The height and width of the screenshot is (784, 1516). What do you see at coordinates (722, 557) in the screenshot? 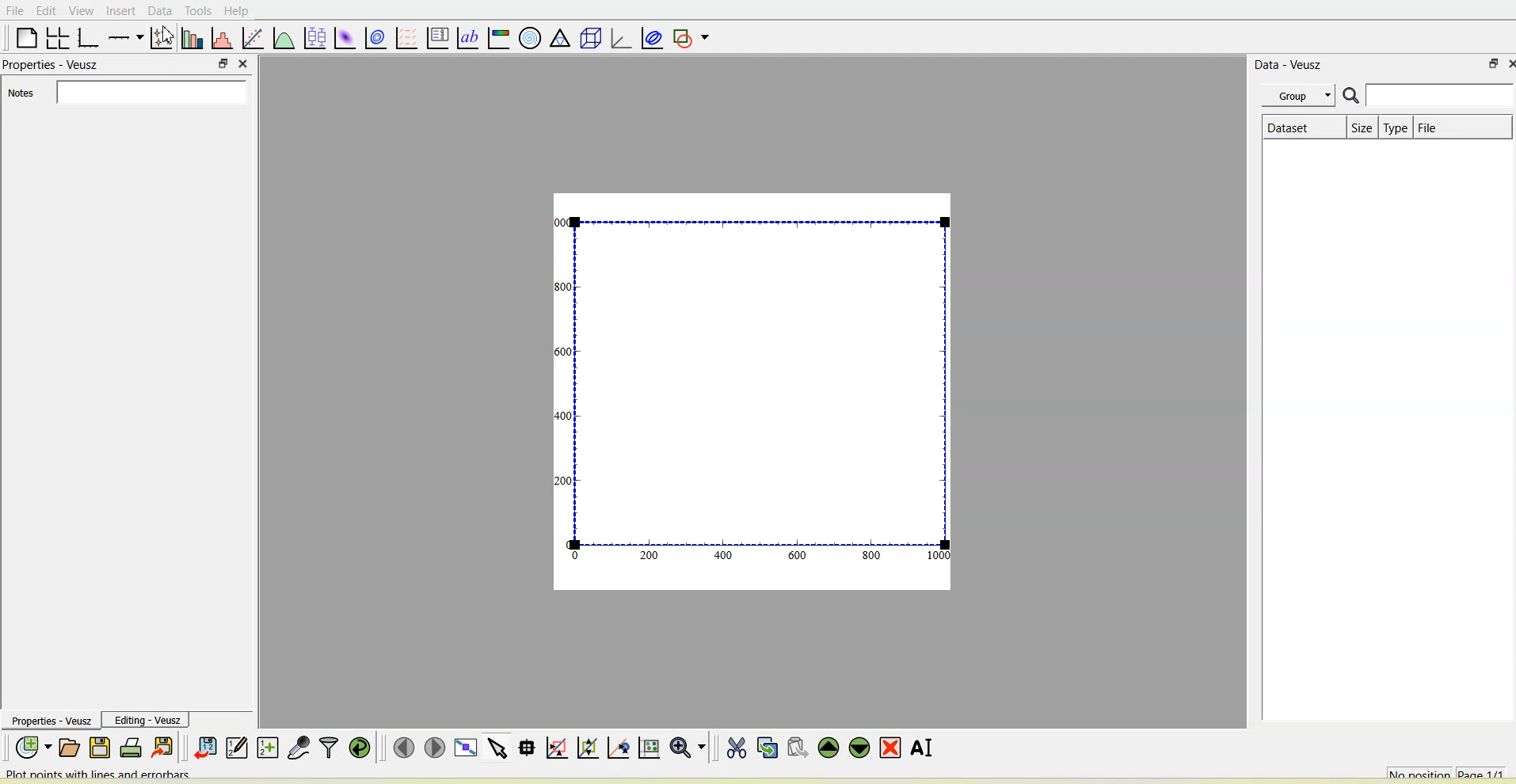
I see `400` at bounding box center [722, 557].